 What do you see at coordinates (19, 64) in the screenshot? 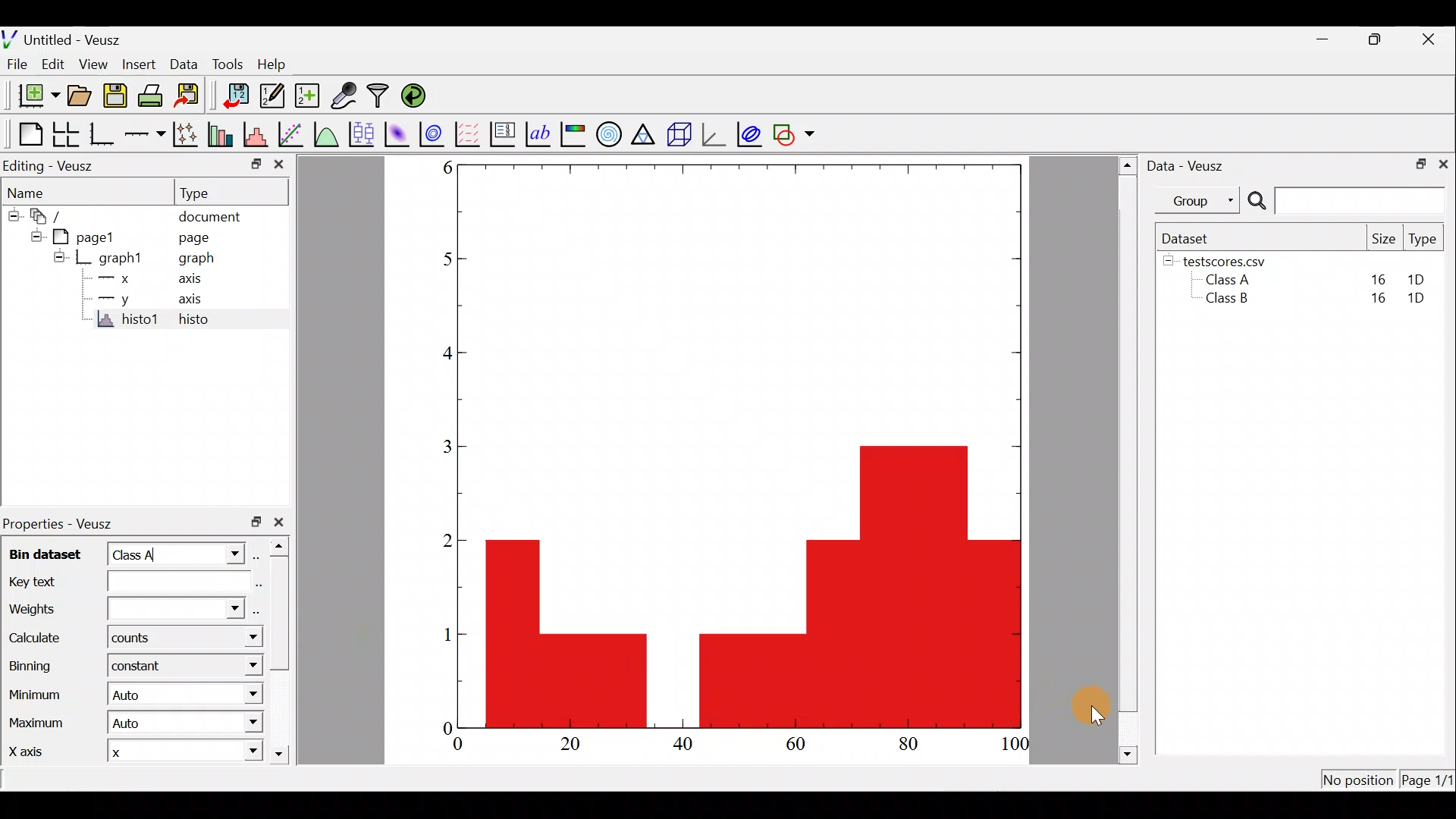
I see `File` at bounding box center [19, 64].